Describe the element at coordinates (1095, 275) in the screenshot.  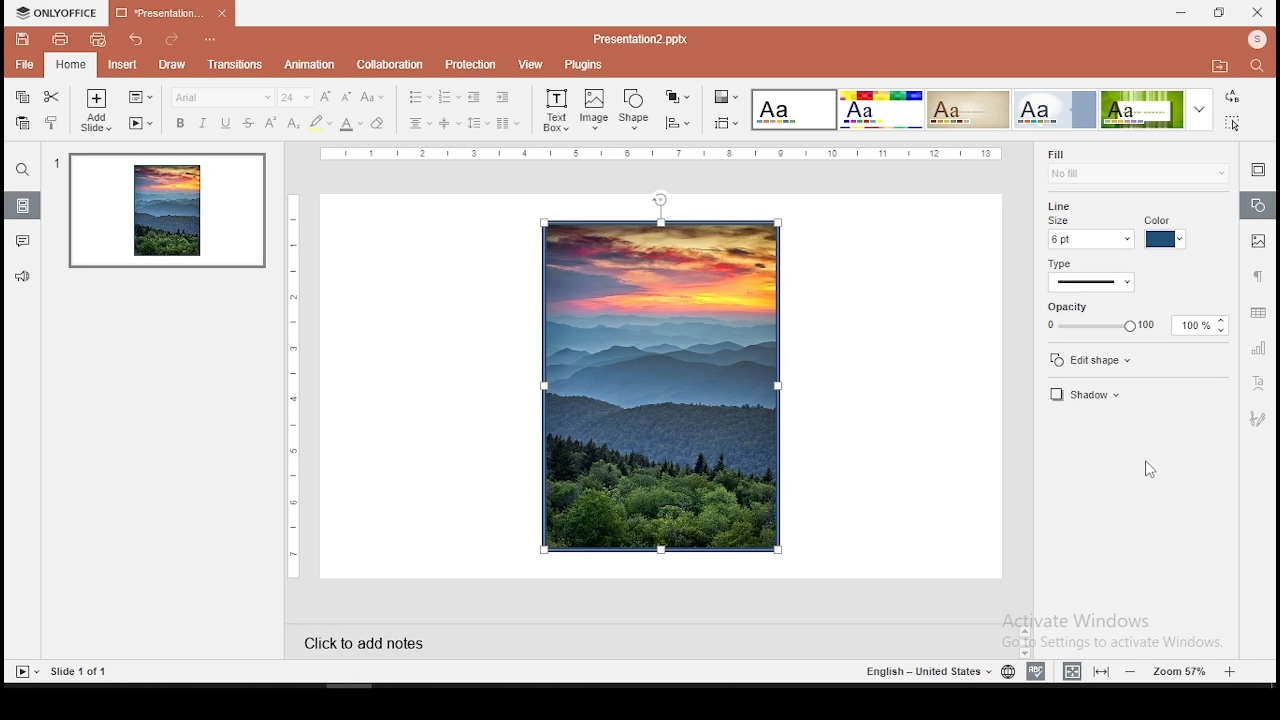
I see `line type` at that location.